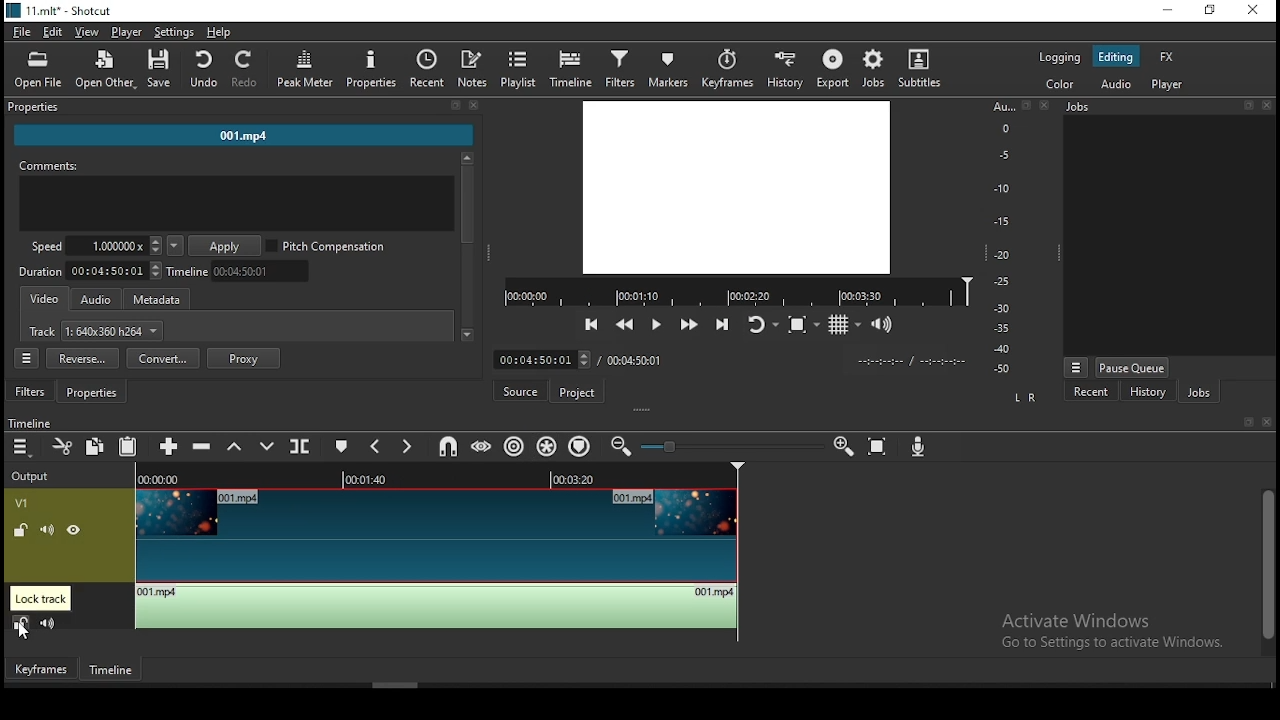  What do you see at coordinates (54, 31) in the screenshot?
I see `edit` at bounding box center [54, 31].